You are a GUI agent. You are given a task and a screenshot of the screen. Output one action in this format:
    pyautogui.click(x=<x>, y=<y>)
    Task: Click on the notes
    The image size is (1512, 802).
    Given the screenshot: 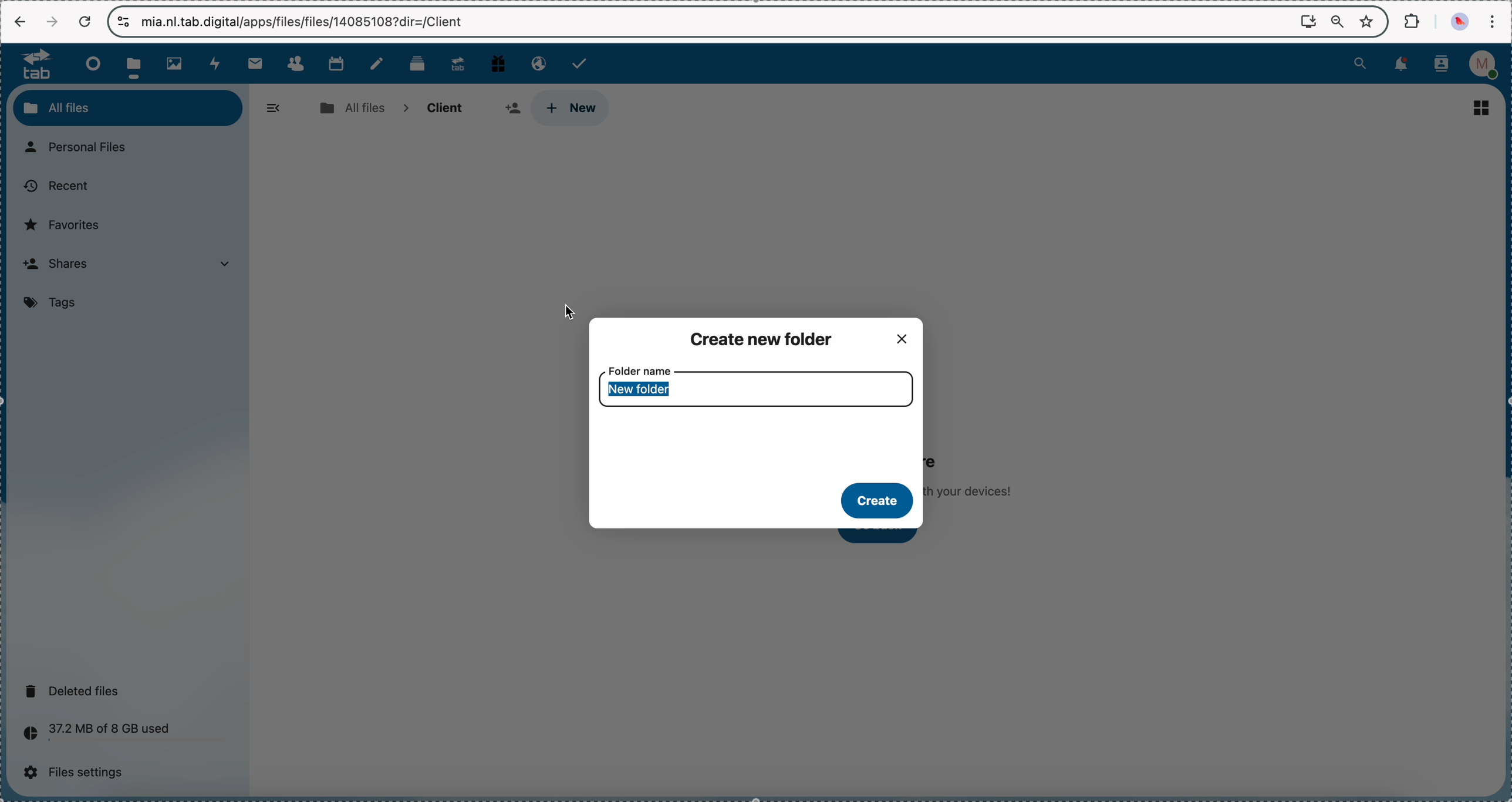 What is the action you would take?
    pyautogui.click(x=379, y=64)
    